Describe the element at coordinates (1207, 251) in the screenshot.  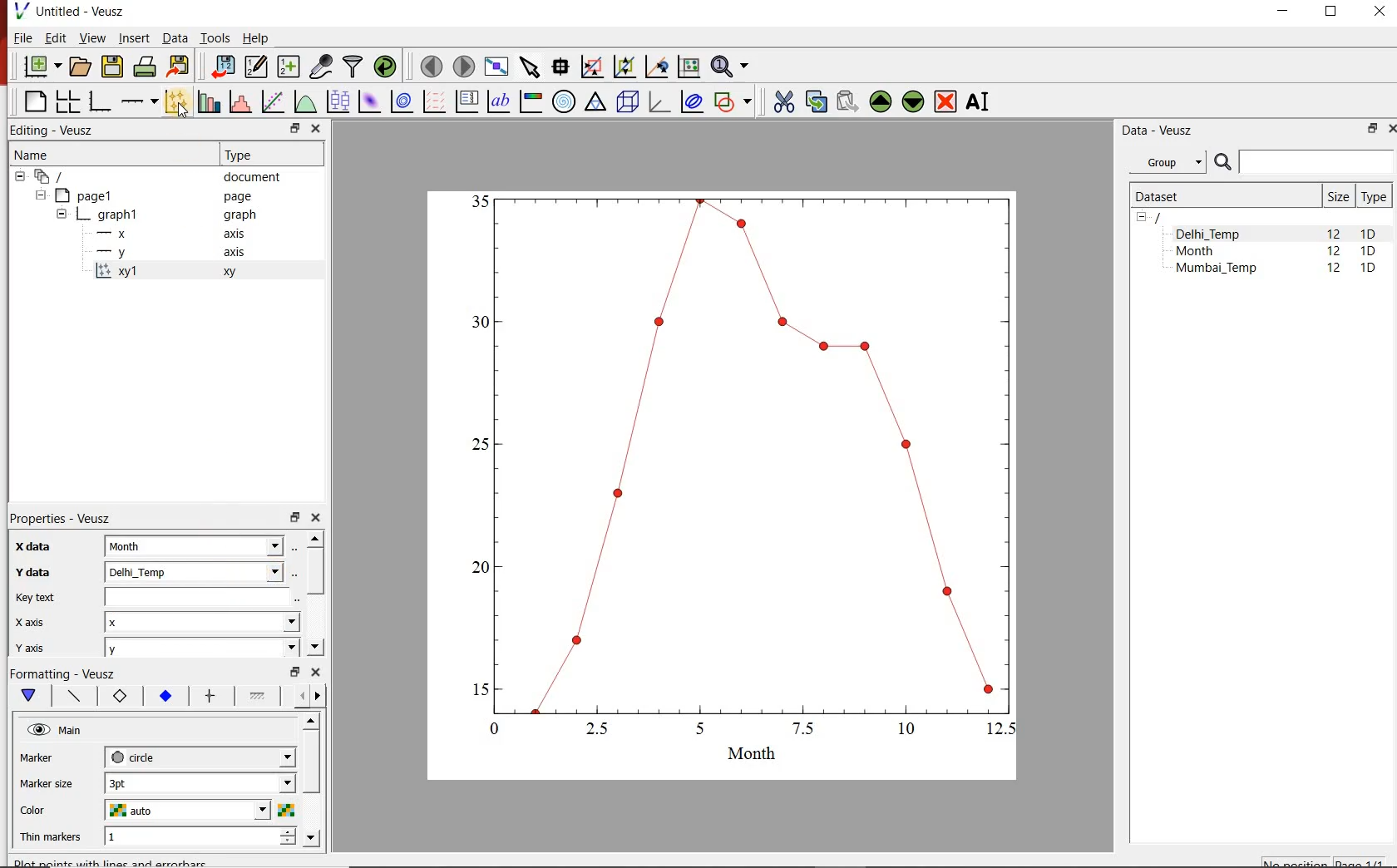
I see `Month` at that location.